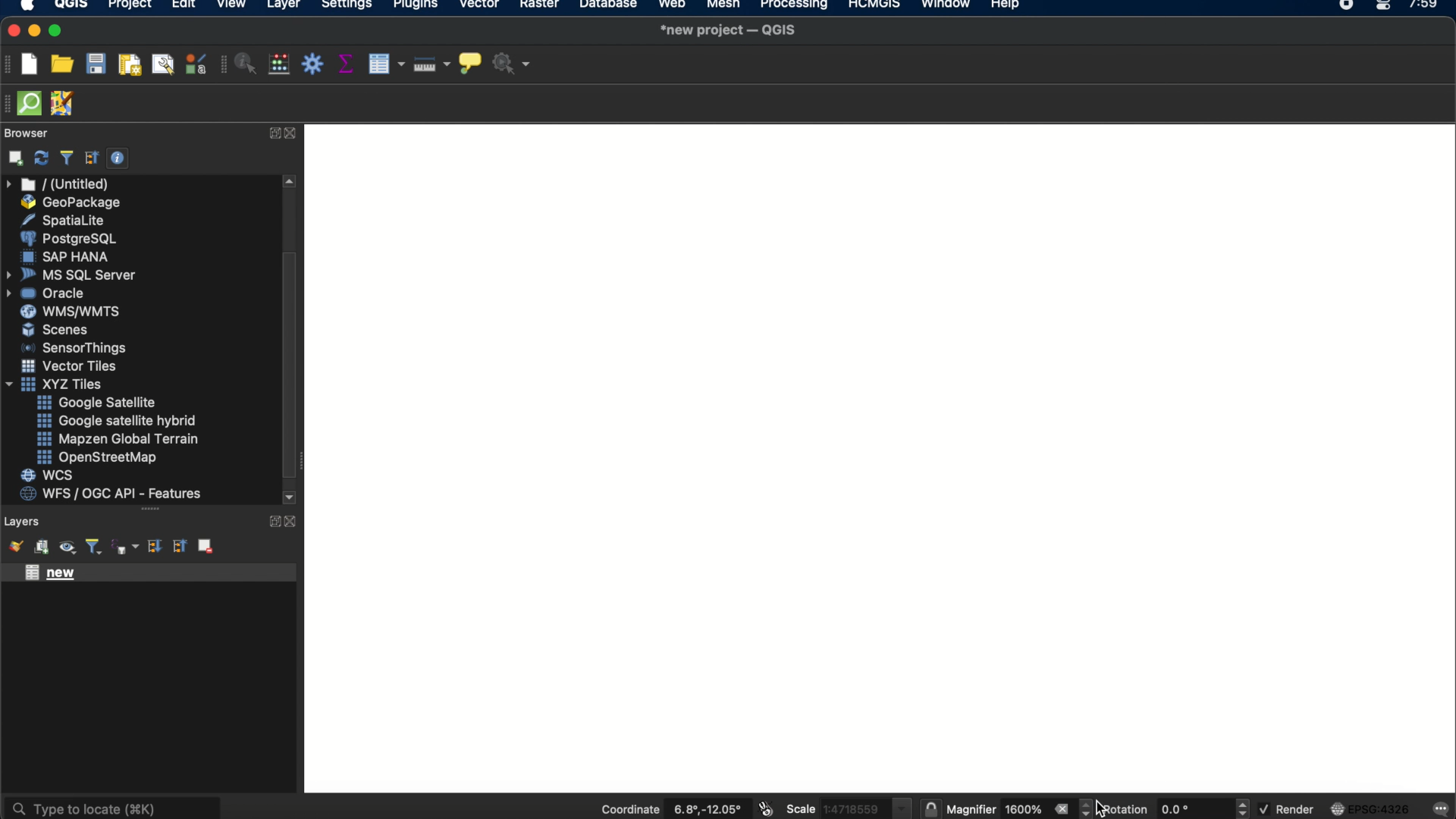 The width and height of the screenshot is (1456, 819). Describe the element at coordinates (64, 104) in the screenshot. I see `JOSM remote` at that location.